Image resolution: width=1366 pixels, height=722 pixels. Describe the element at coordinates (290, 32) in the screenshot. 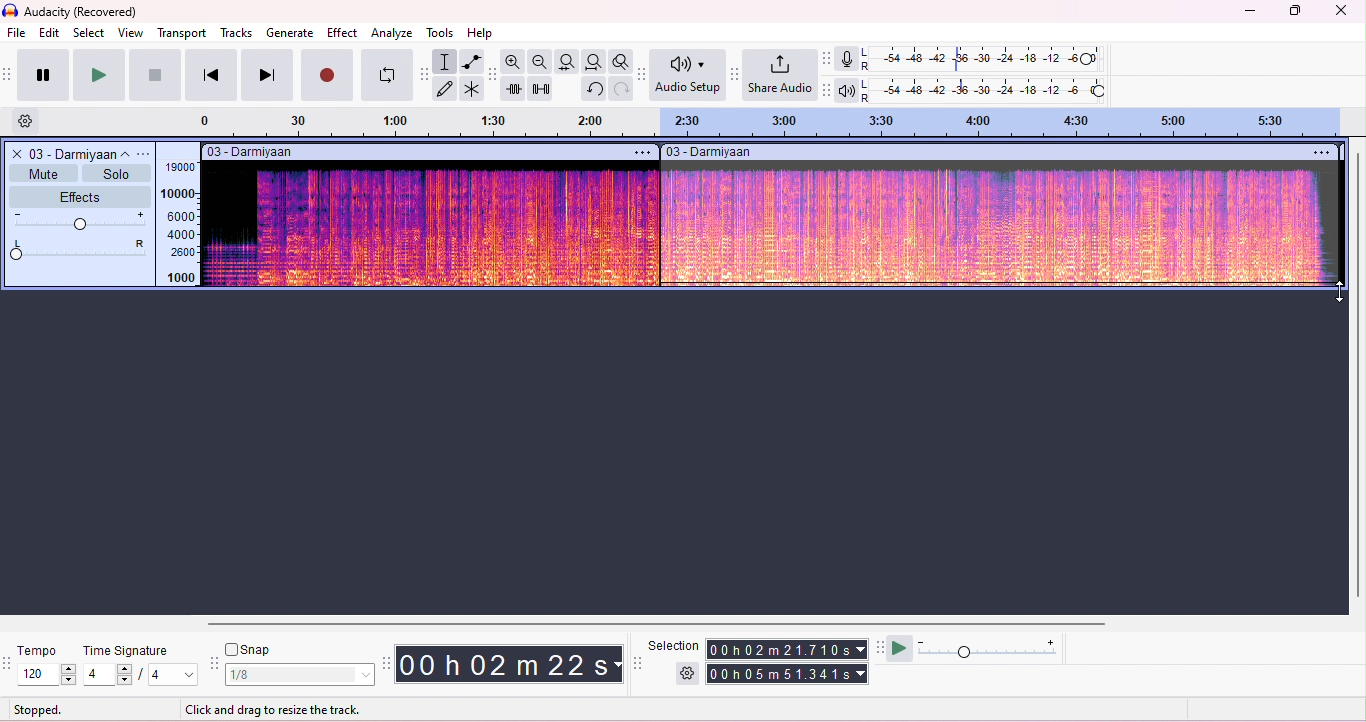

I see `generate` at that location.